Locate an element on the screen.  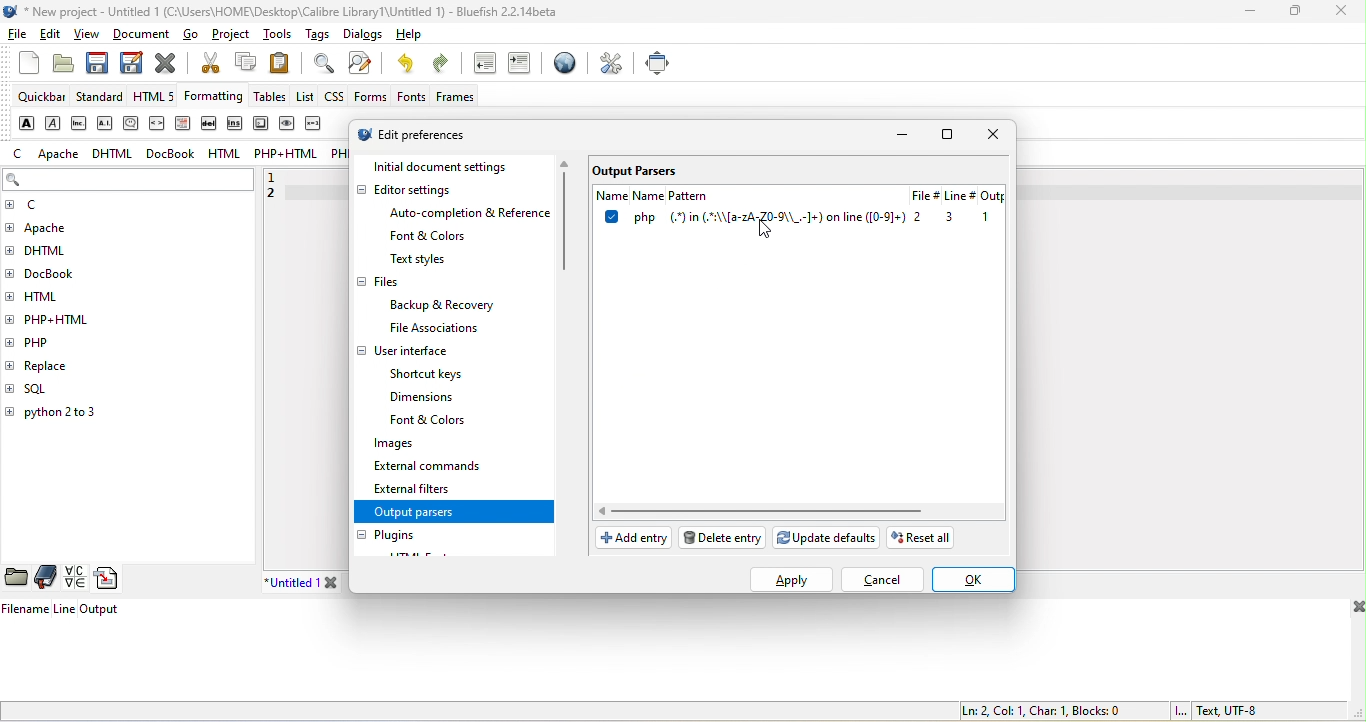
pattern name is located at coordinates (748, 218).